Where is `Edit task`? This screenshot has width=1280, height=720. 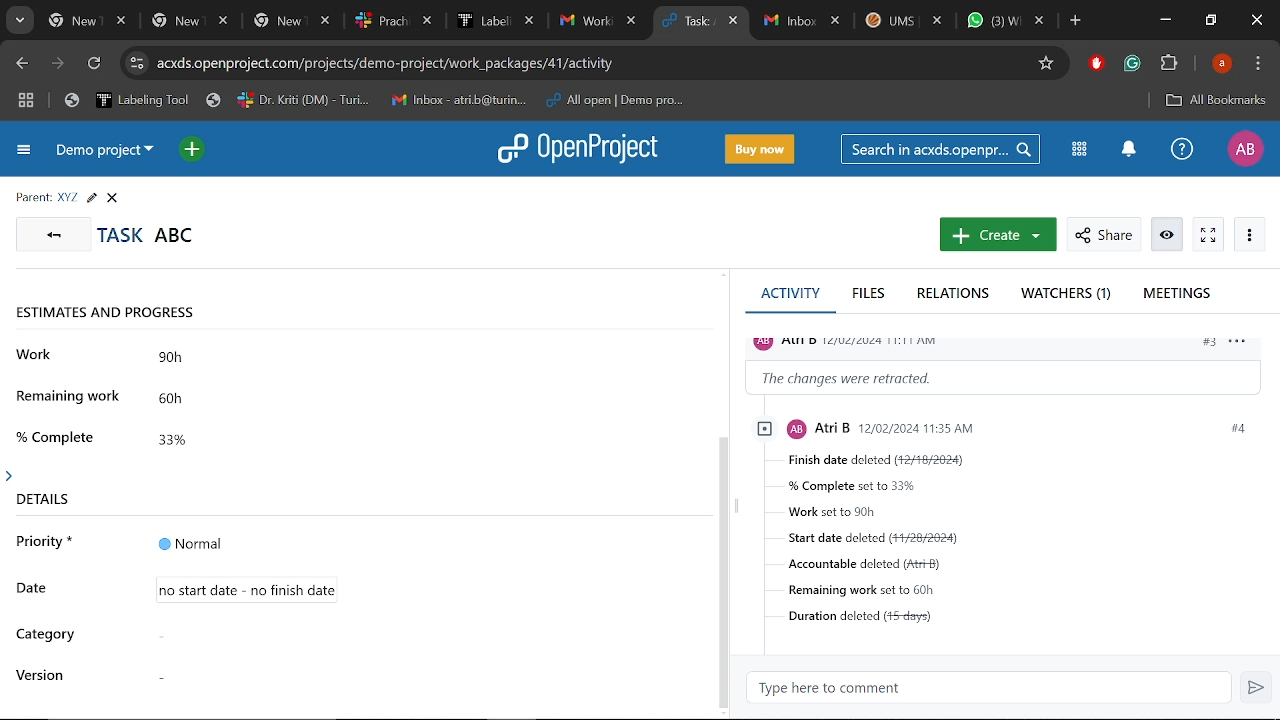
Edit task is located at coordinates (91, 198).